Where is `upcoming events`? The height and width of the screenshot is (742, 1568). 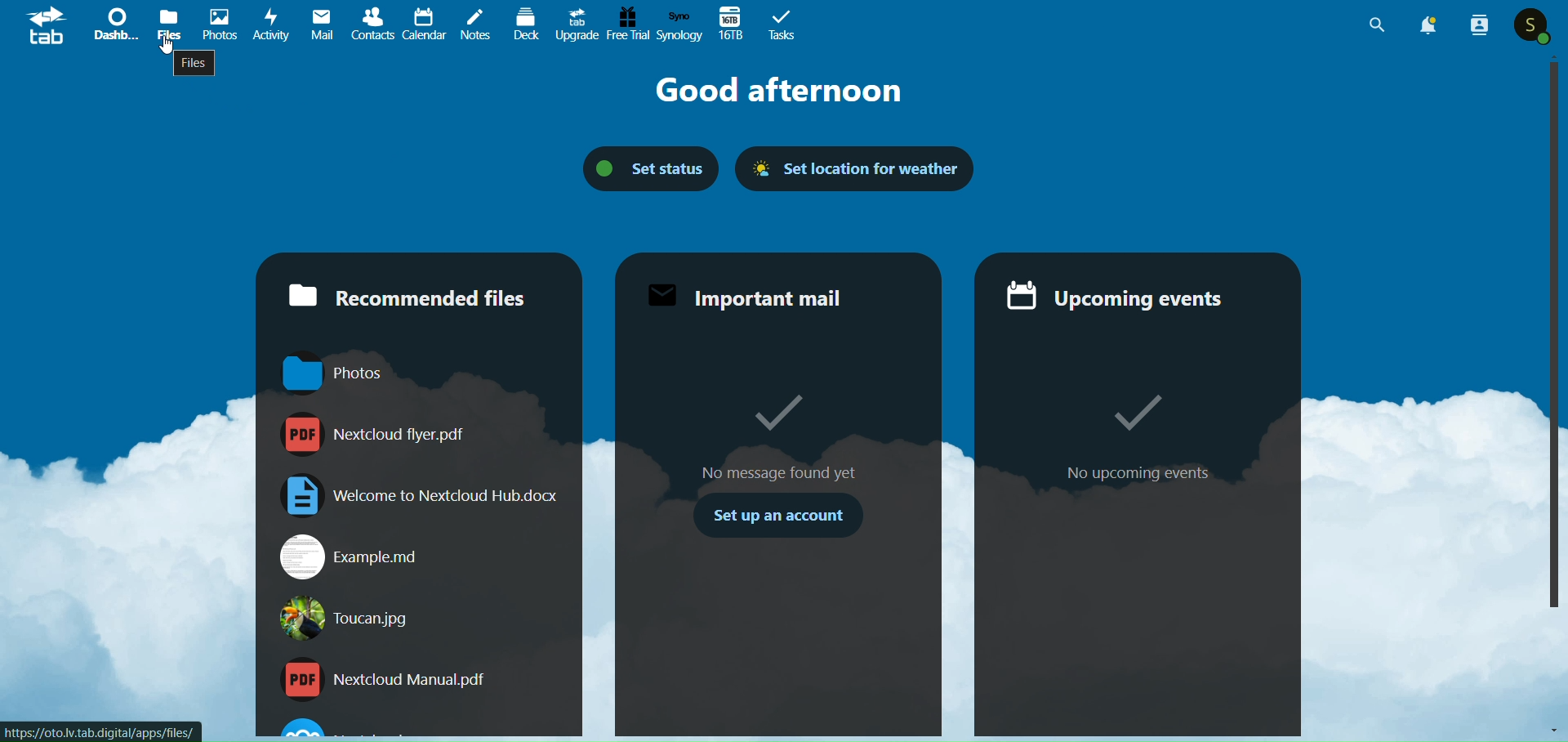 upcoming events is located at coordinates (1125, 295).